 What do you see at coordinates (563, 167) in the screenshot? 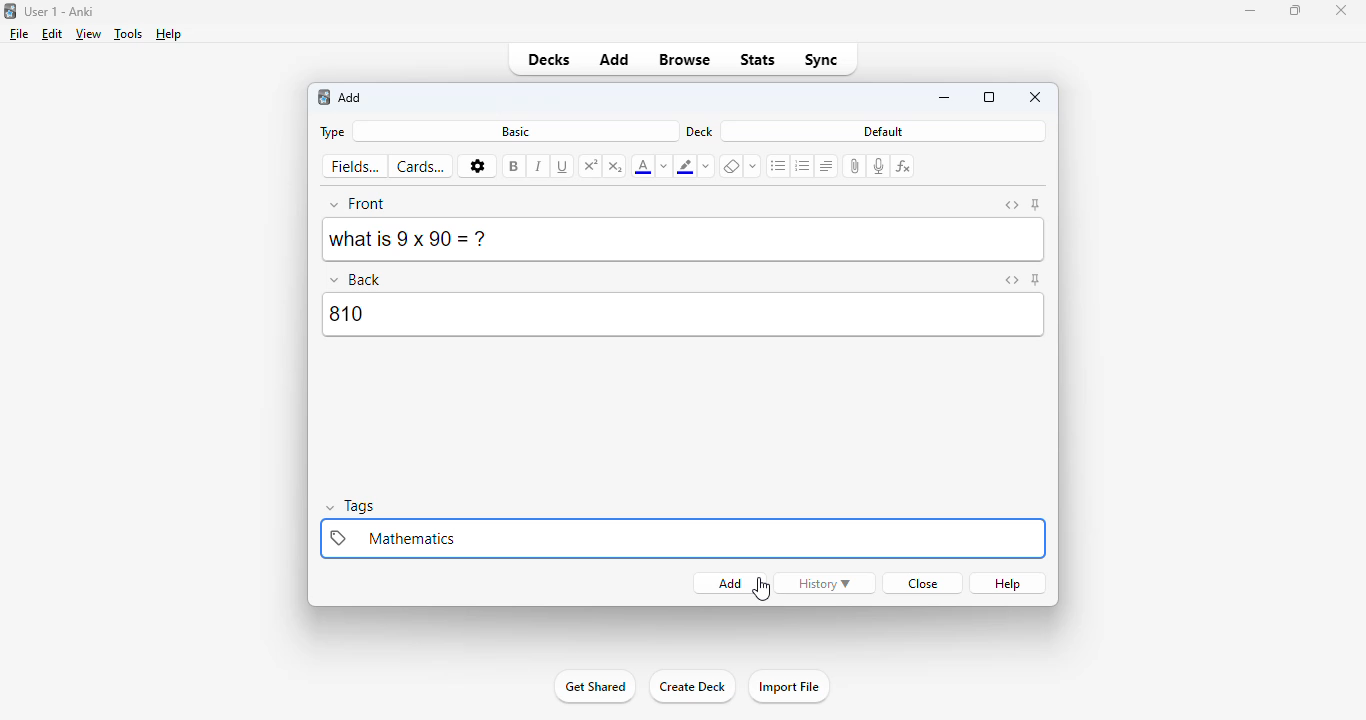
I see `underline` at bounding box center [563, 167].